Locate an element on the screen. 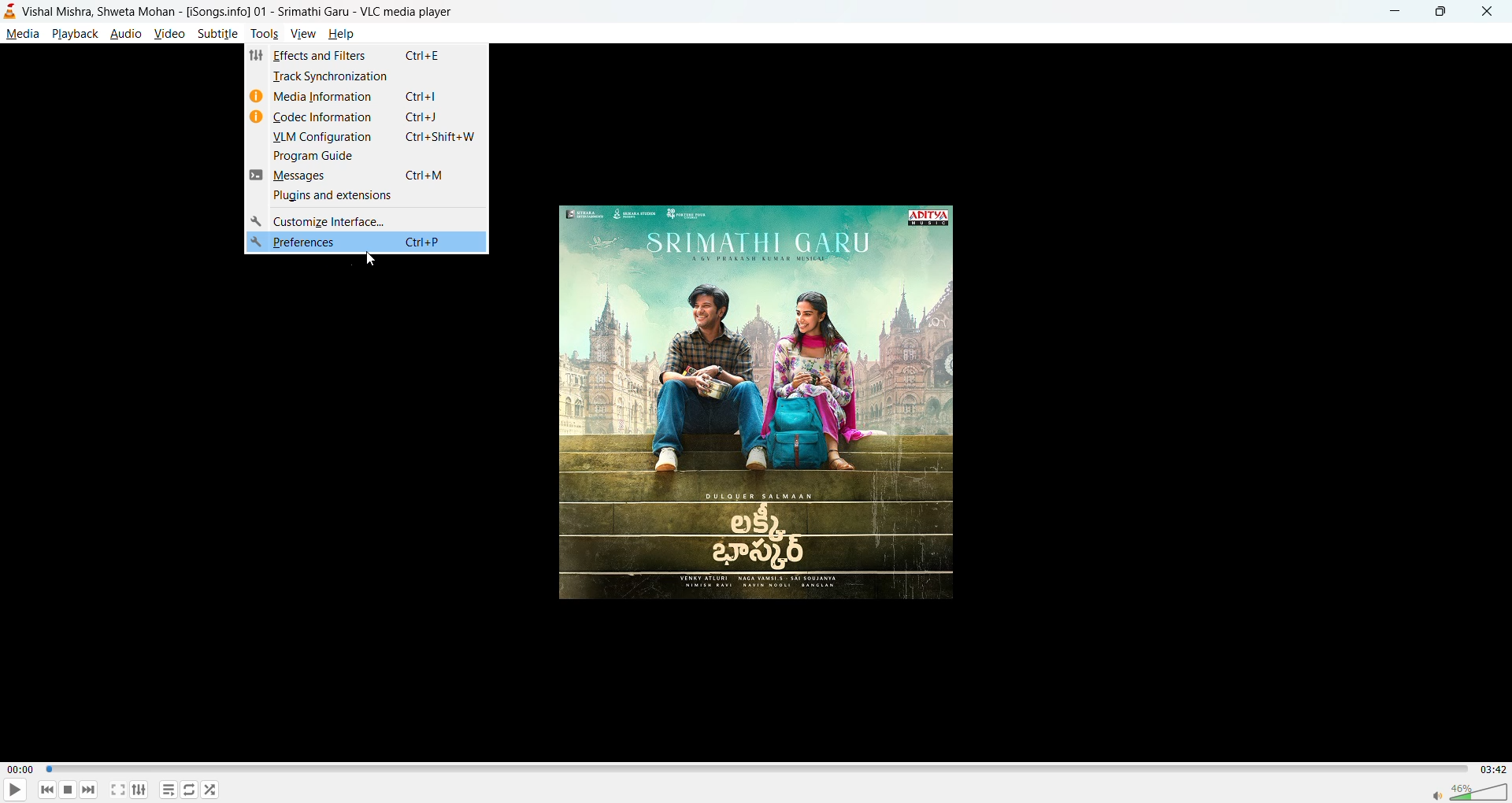 Image resolution: width=1512 pixels, height=803 pixels. subtitle is located at coordinates (218, 33).